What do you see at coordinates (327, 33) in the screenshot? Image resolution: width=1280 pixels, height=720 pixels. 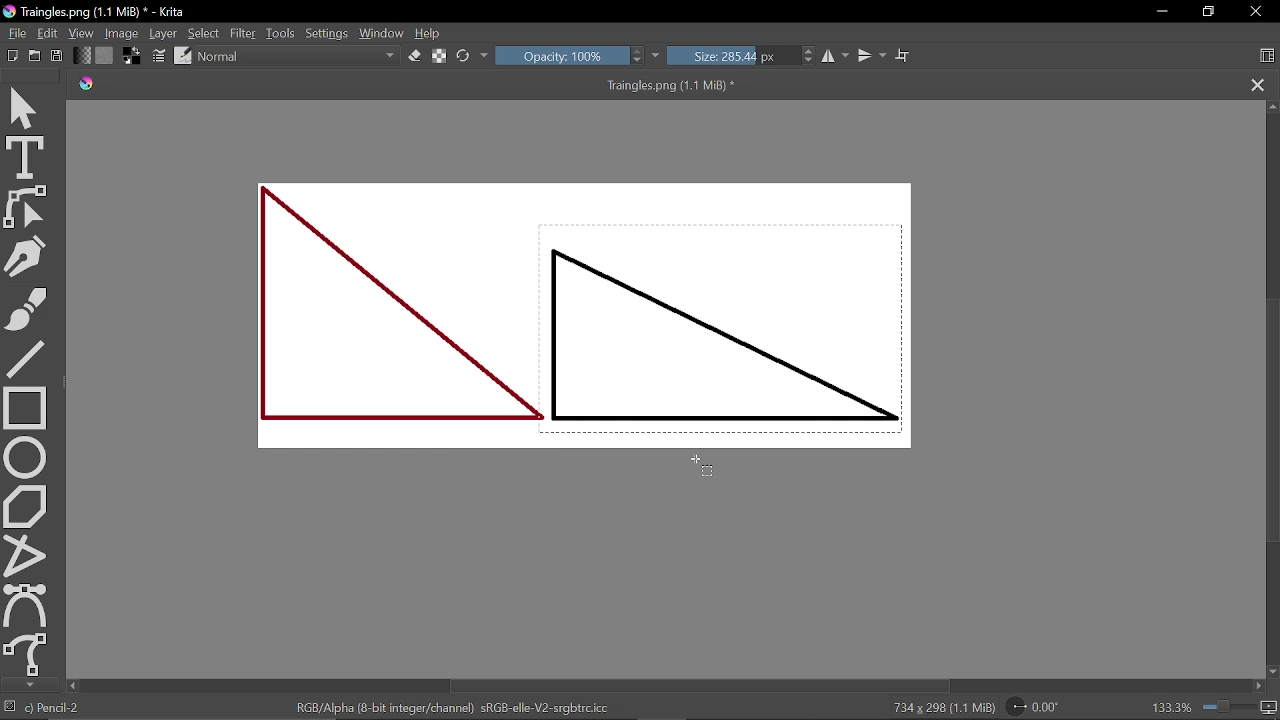 I see `Settings` at bounding box center [327, 33].